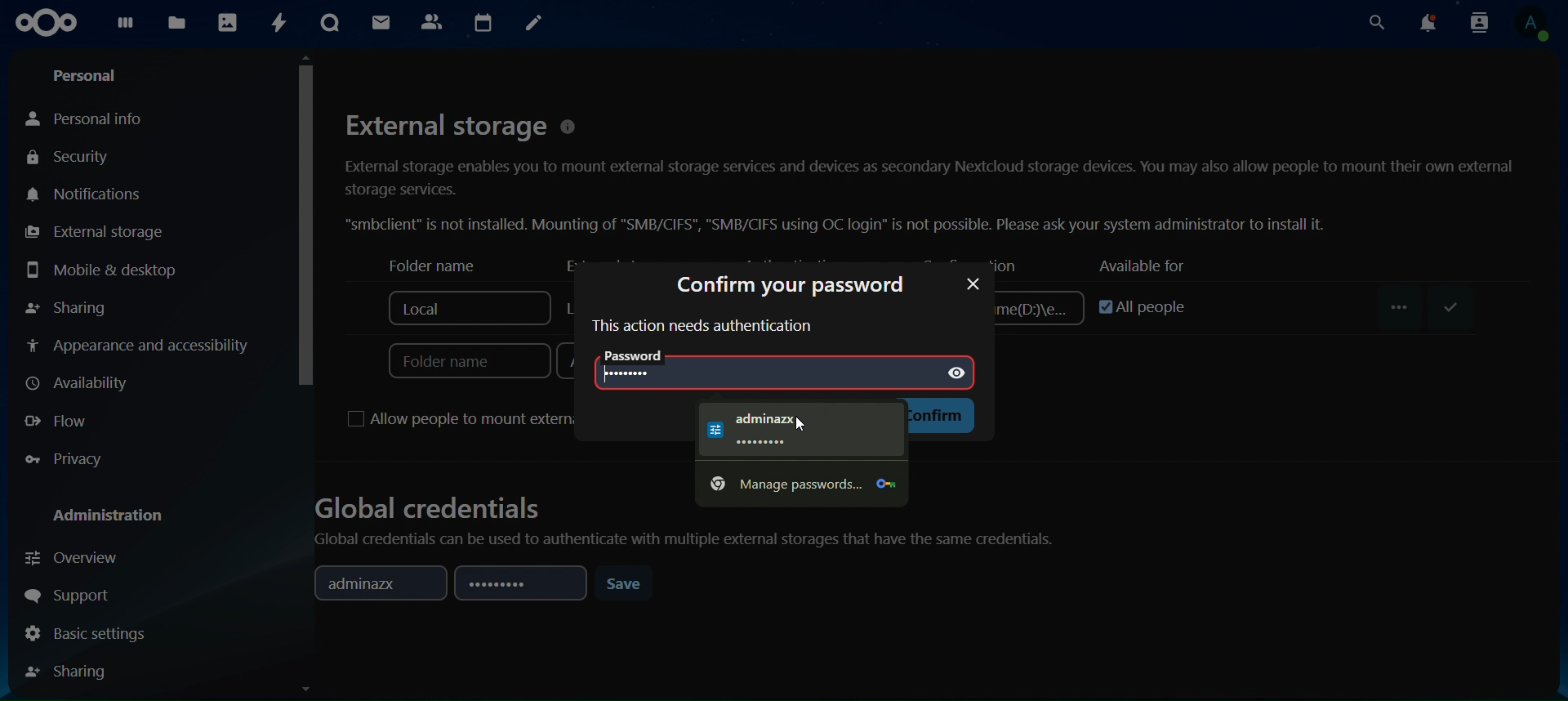 This screenshot has height=701, width=1568. What do you see at coordinates (143, 346) in the screenshot?
I see `appearance and accessibilty` at bounding box center [143, 346].